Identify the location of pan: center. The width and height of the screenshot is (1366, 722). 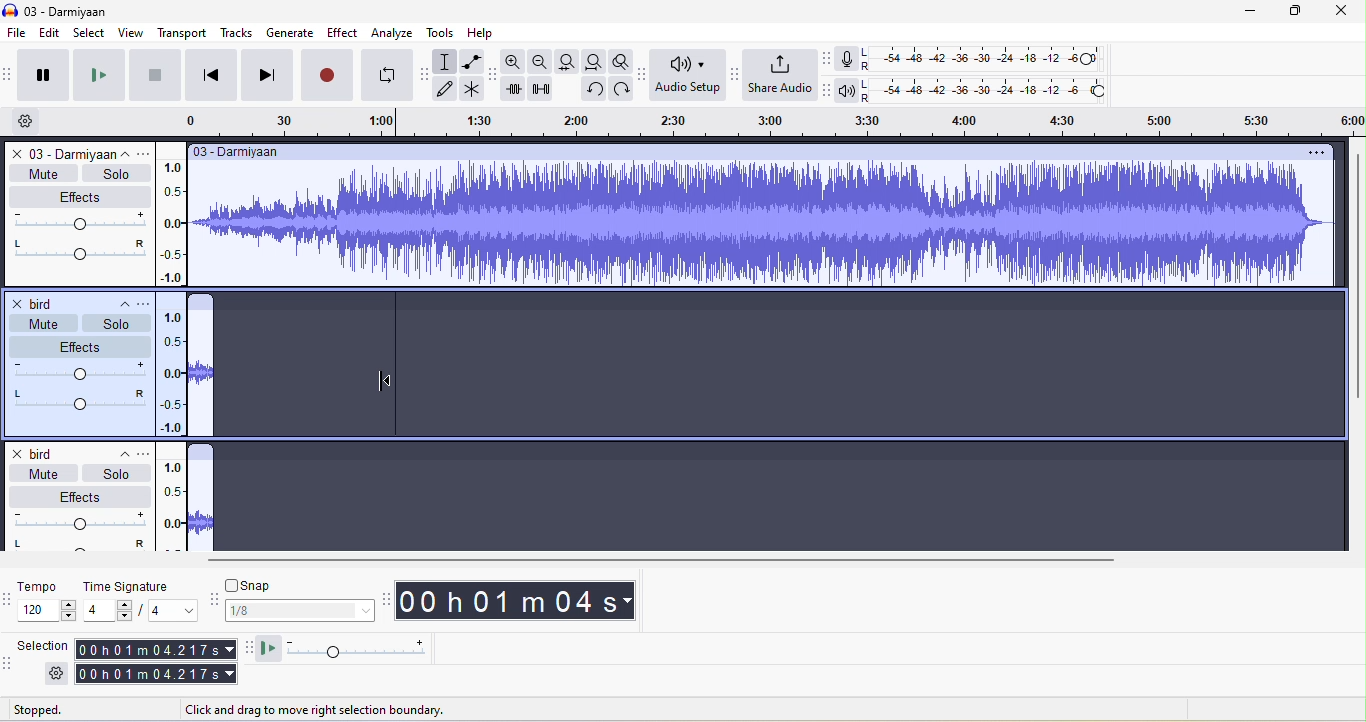
(78, 251).